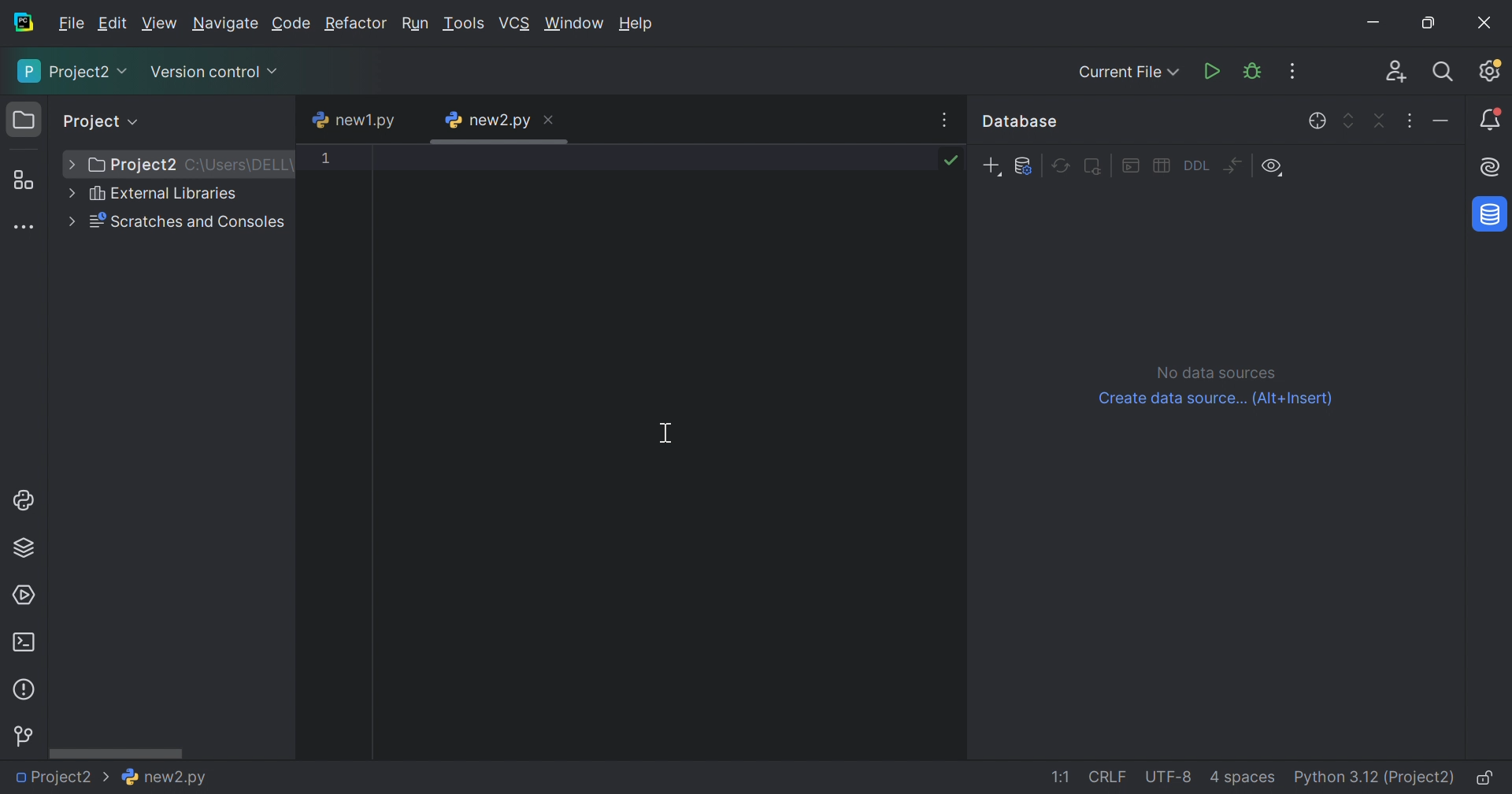 The width and height of the screenshot is (1512, 794). Describe the element at coordinates (1243, 781) in the screenshot. I see `4 spaces` at that location.